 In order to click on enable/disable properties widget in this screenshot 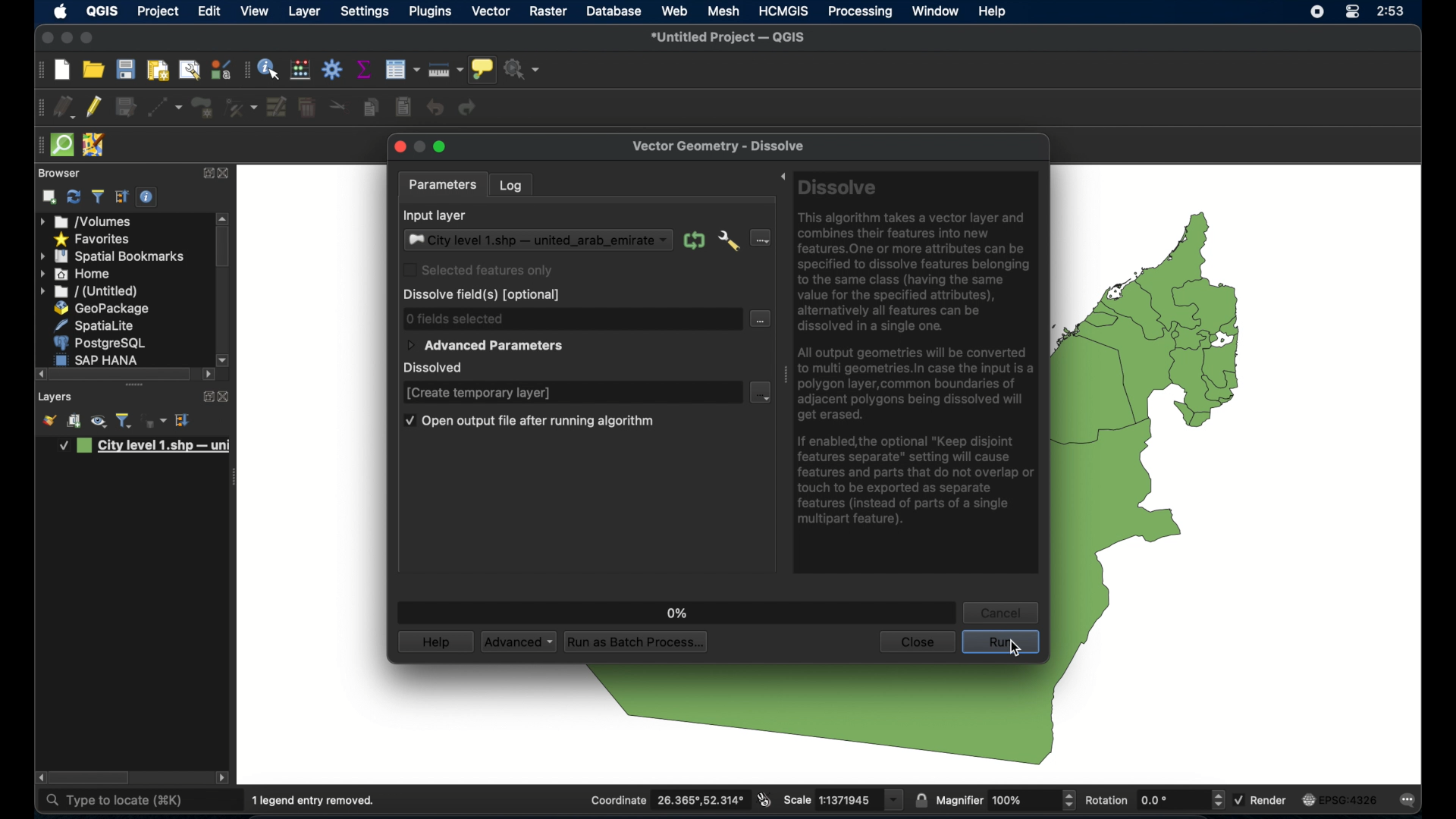, I will do `click(146, 197)`.